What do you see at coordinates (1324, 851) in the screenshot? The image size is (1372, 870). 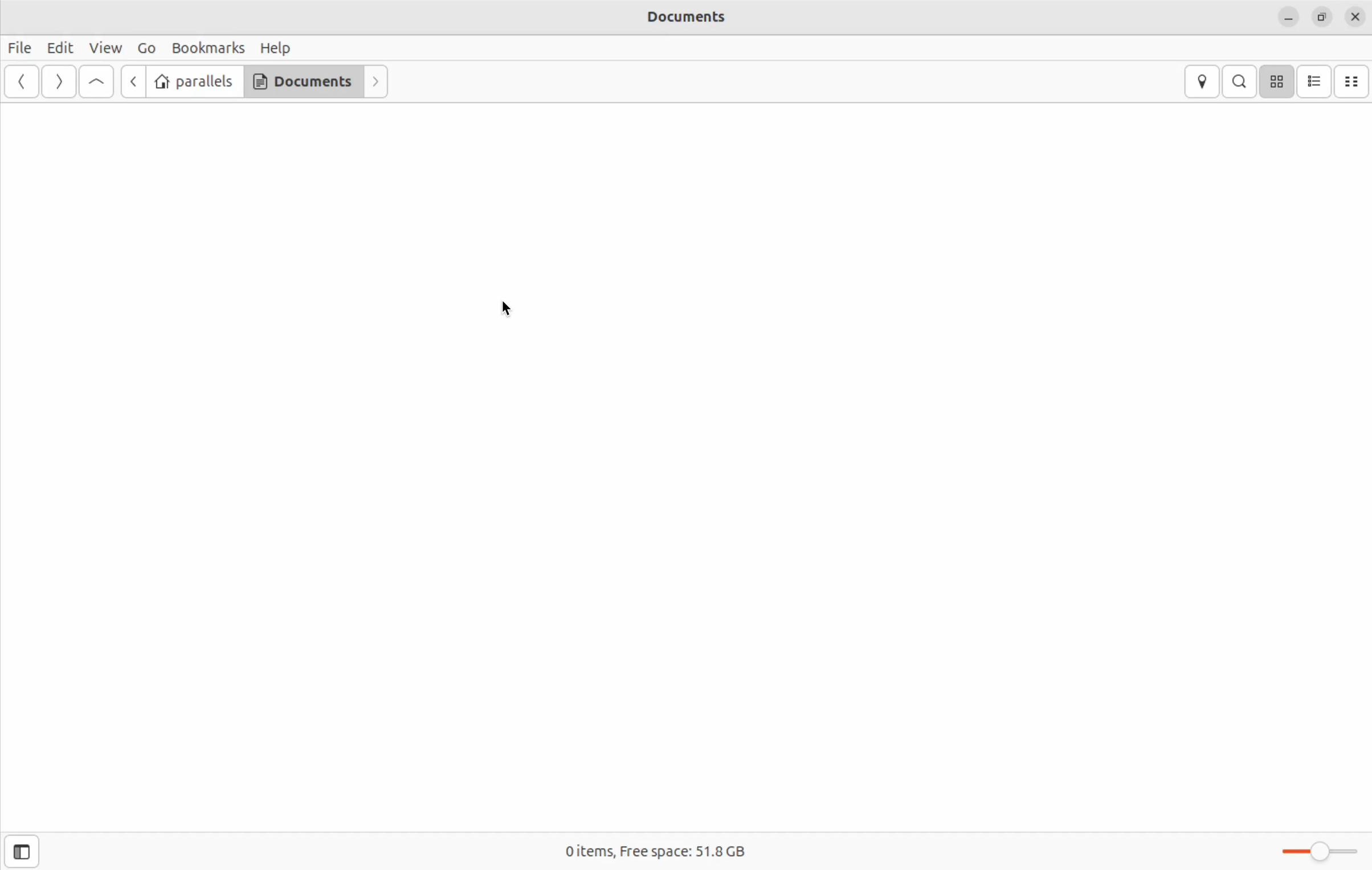 I see `Zoom` at bounding box center [1324, 851].